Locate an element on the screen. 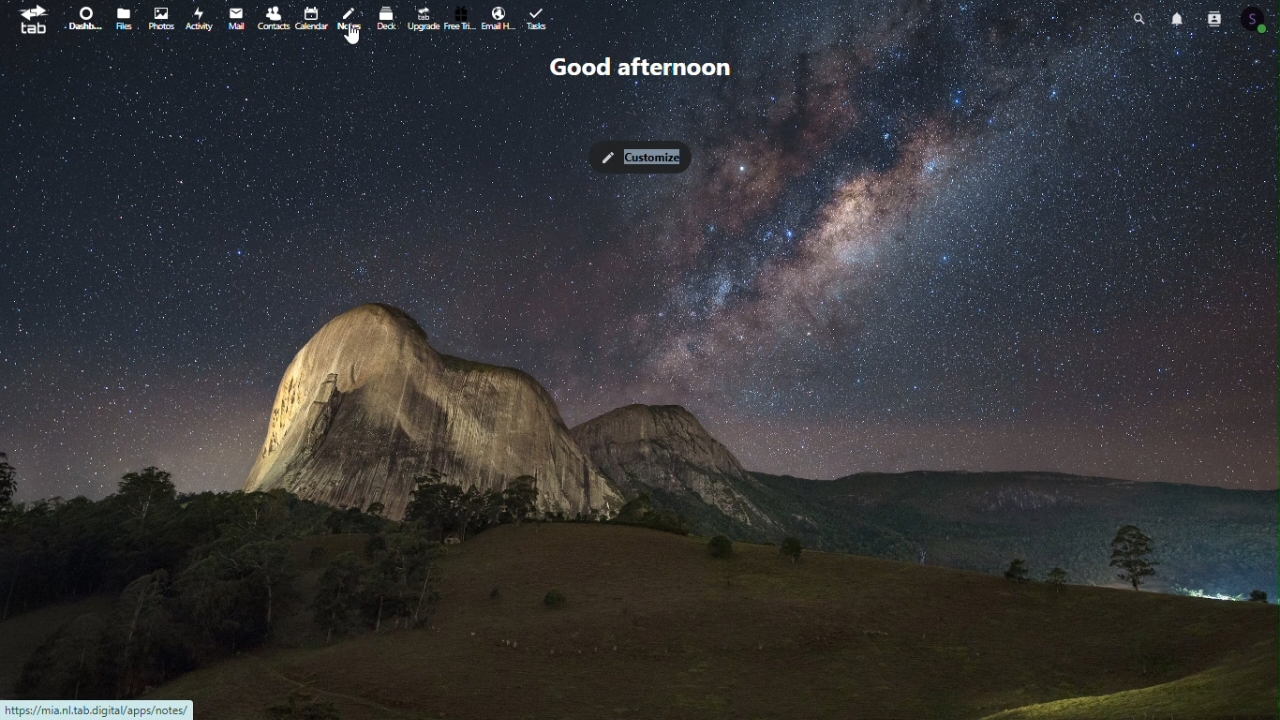  Task is located at coordinates (532, 20).